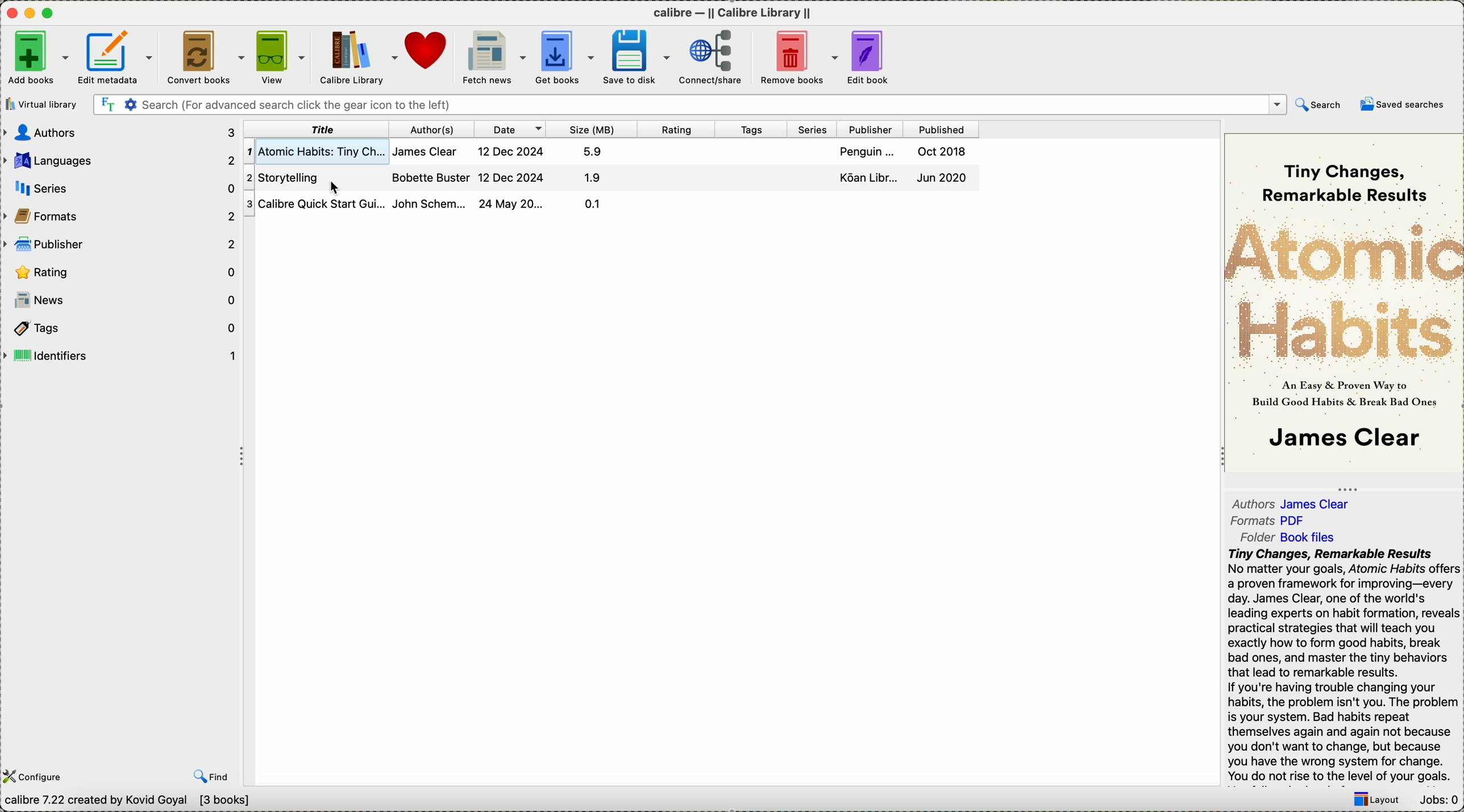 The height and width of the screenshot is (812, 1464). Describe the element at coordinates (207, 59) in the screenshot. I see `convert books` at that location.